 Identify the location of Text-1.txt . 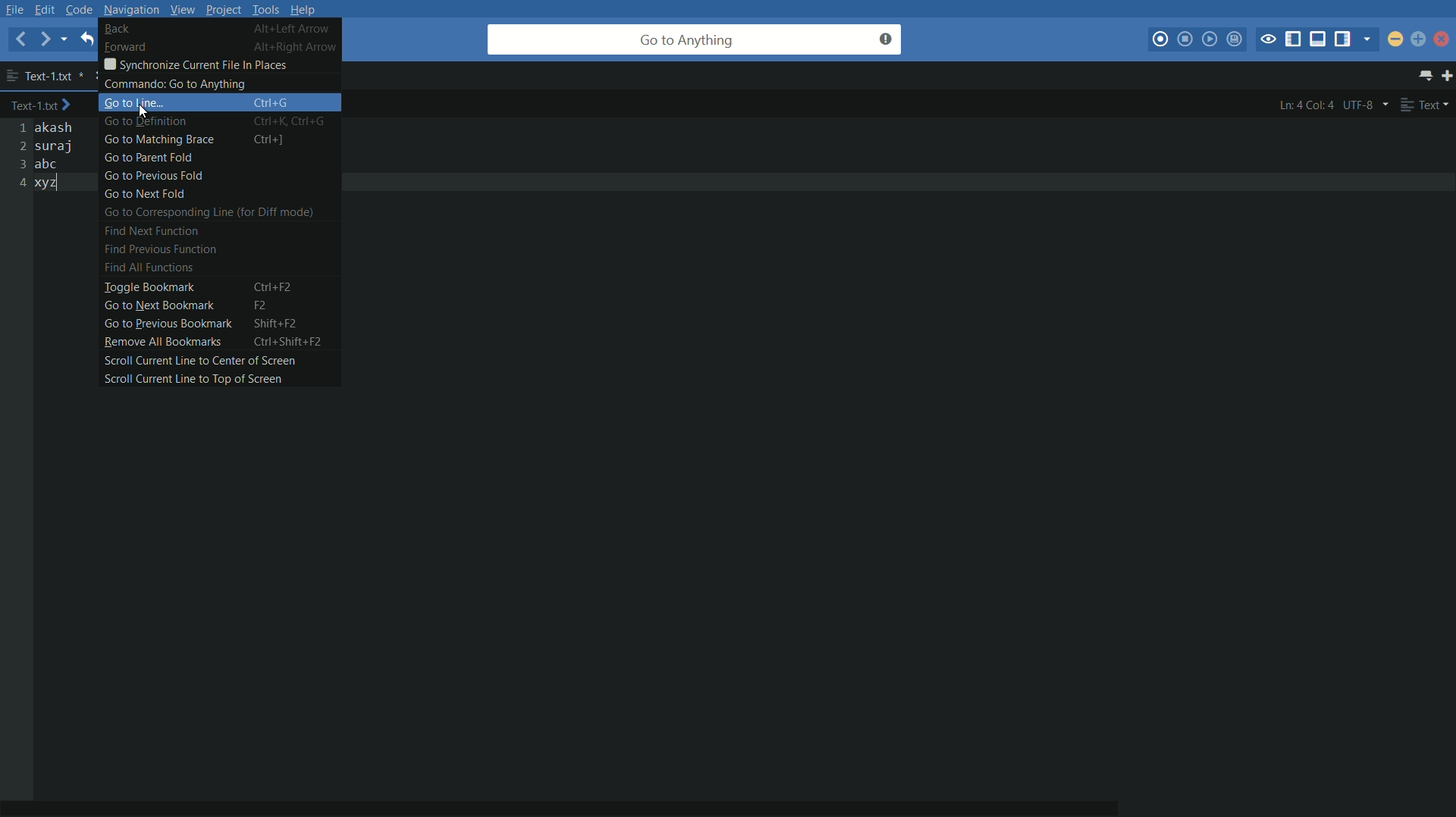
(45, 106).